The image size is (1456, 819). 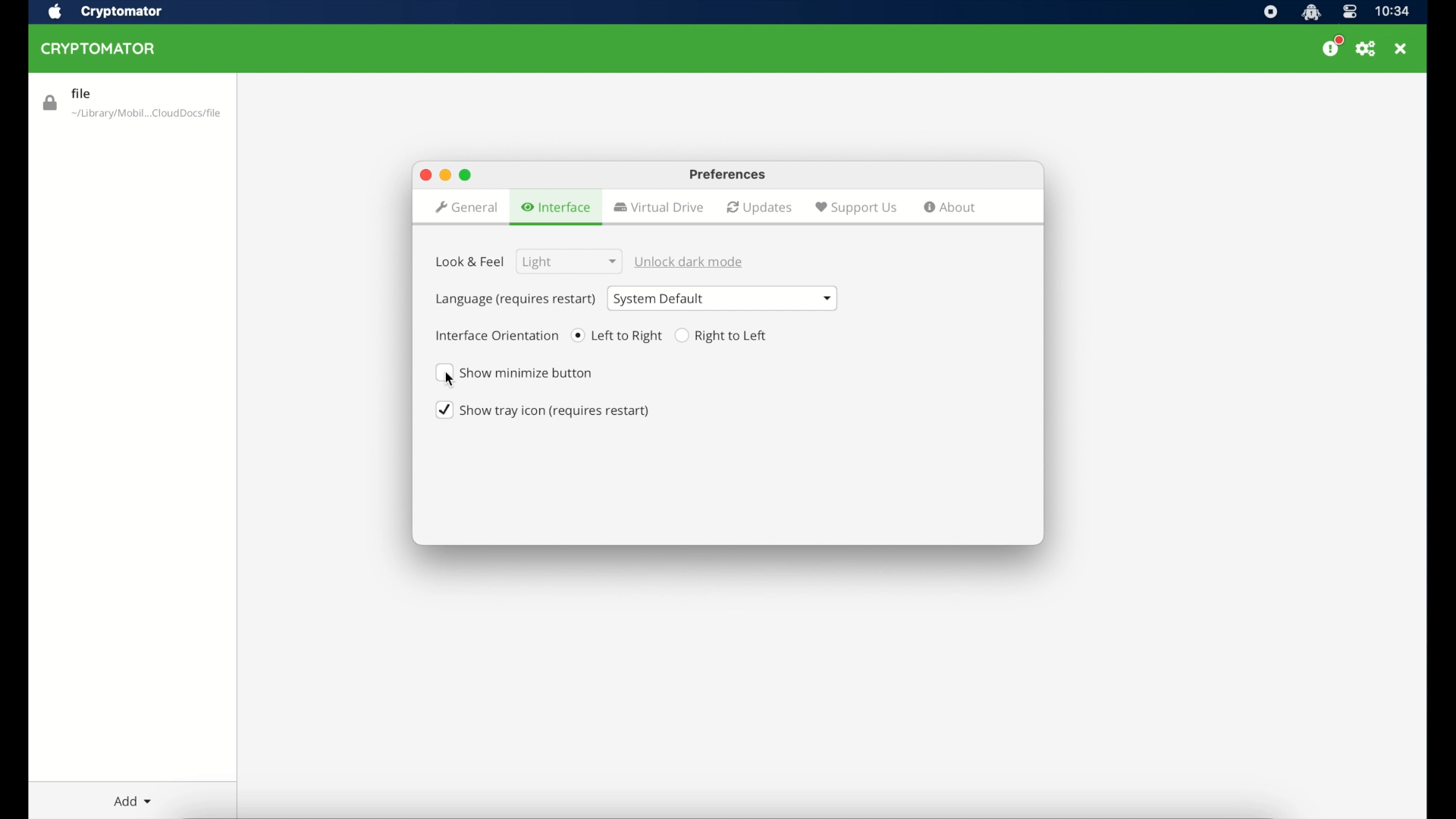 What do you see at coordinates (55, 11) in the screenshot?
I see `apple icon` at bounding box center [55, 11].